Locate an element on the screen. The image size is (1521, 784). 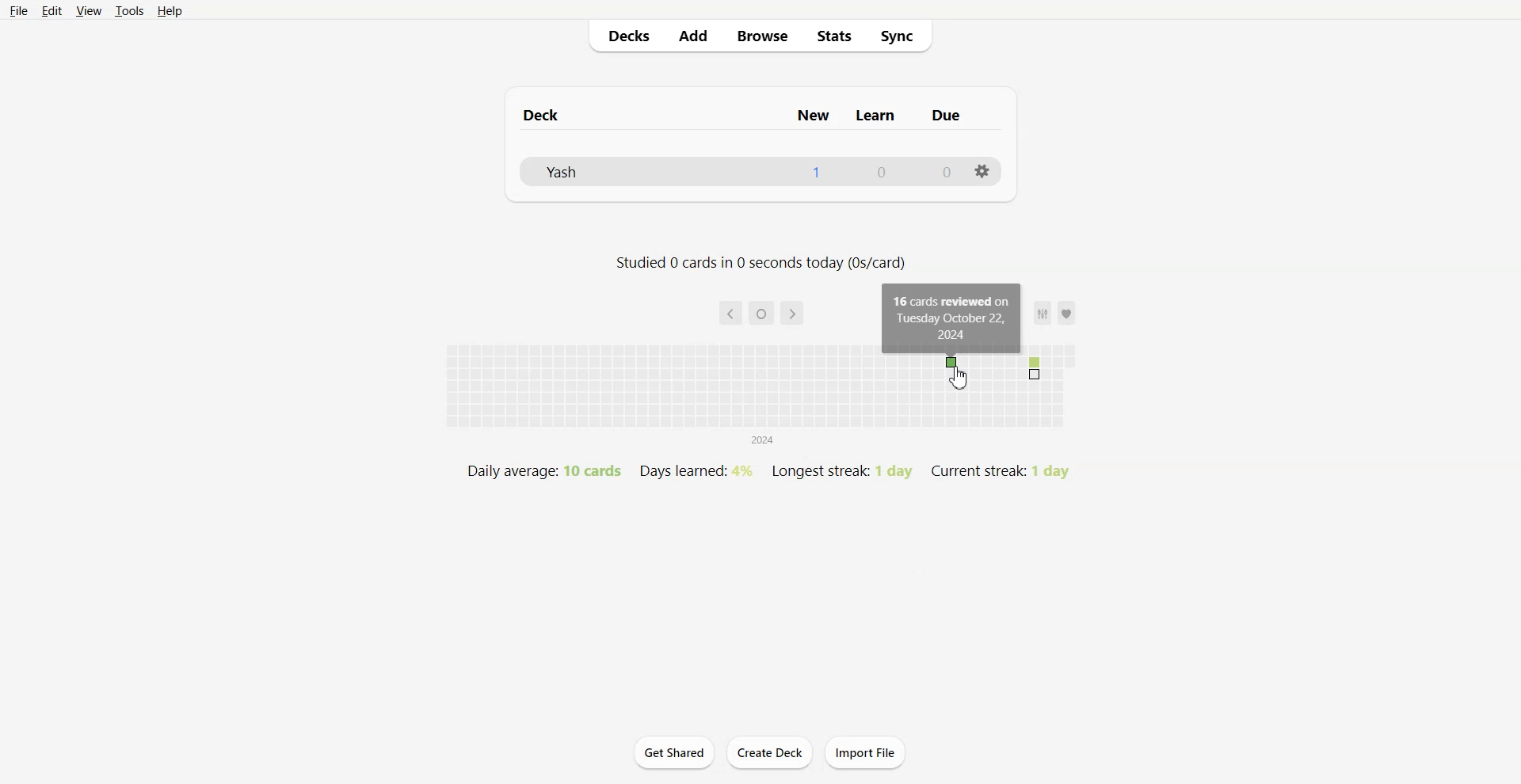
longest streak: 1 day is located at coordinates (841, 471).